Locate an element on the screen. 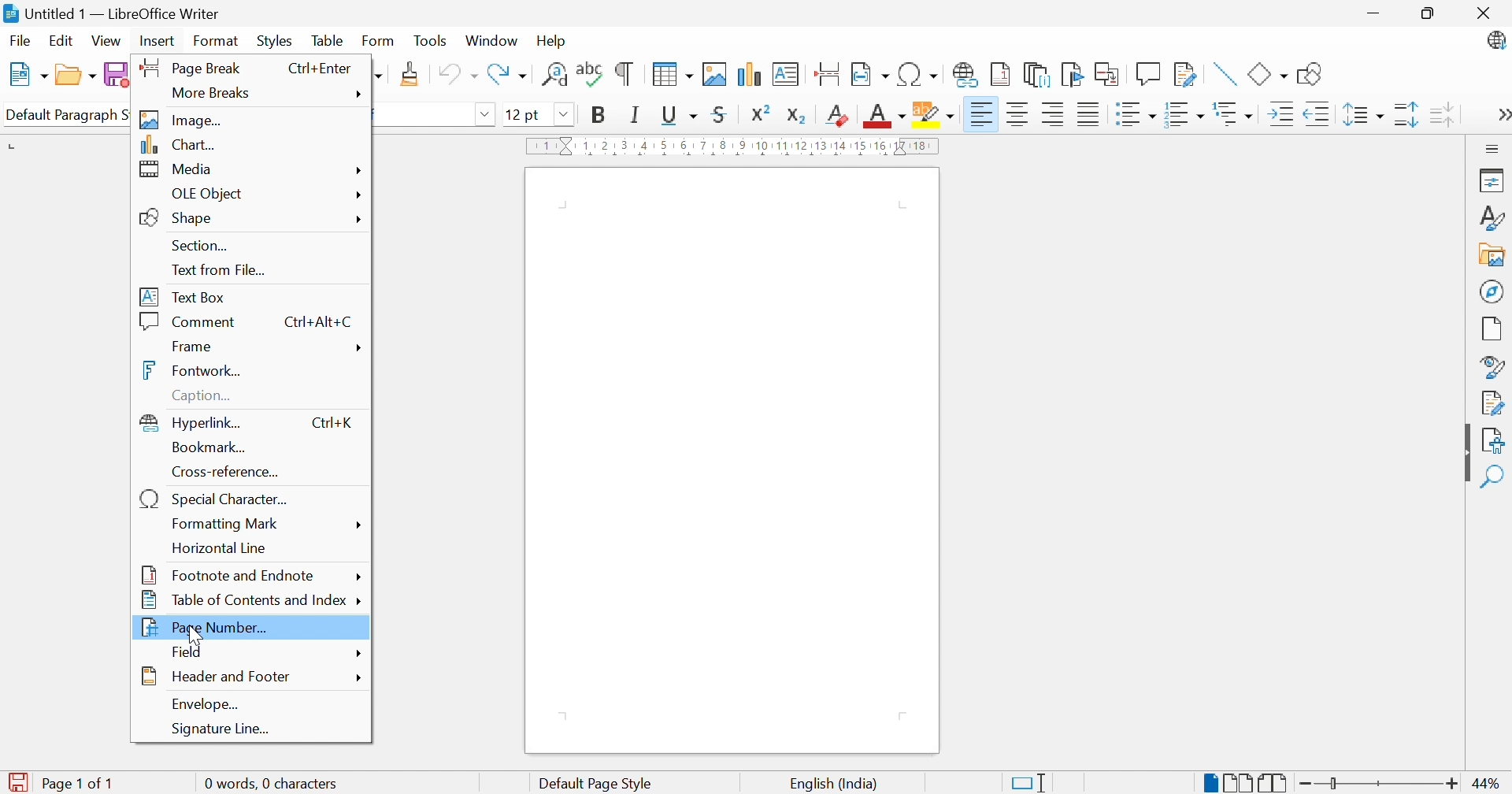 The height and width of the screenshot is (794, 1512). Special character... is located at coordinates (217, 499).